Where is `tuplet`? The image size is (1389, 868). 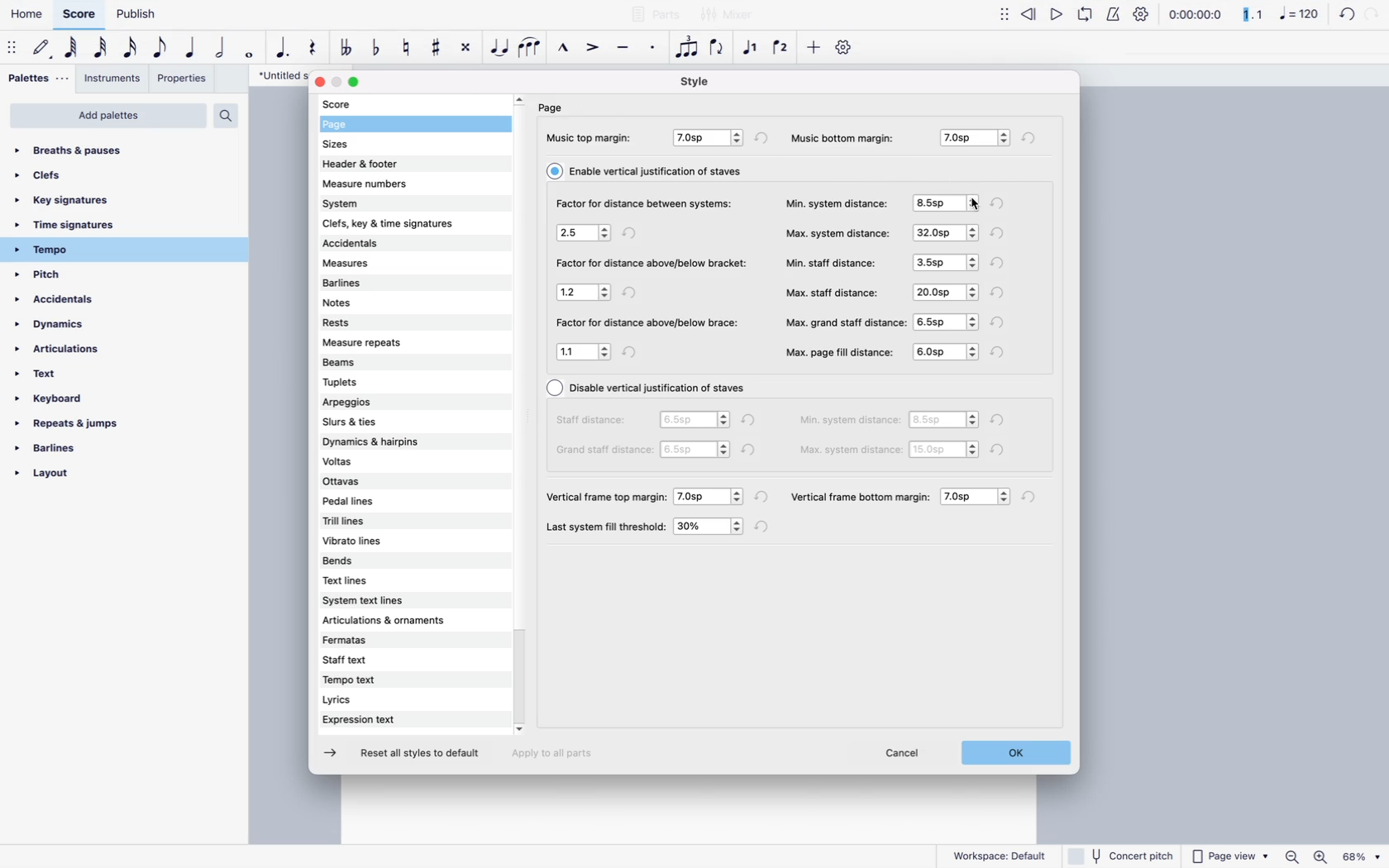 tuplet is located at coordinates (687, 51).